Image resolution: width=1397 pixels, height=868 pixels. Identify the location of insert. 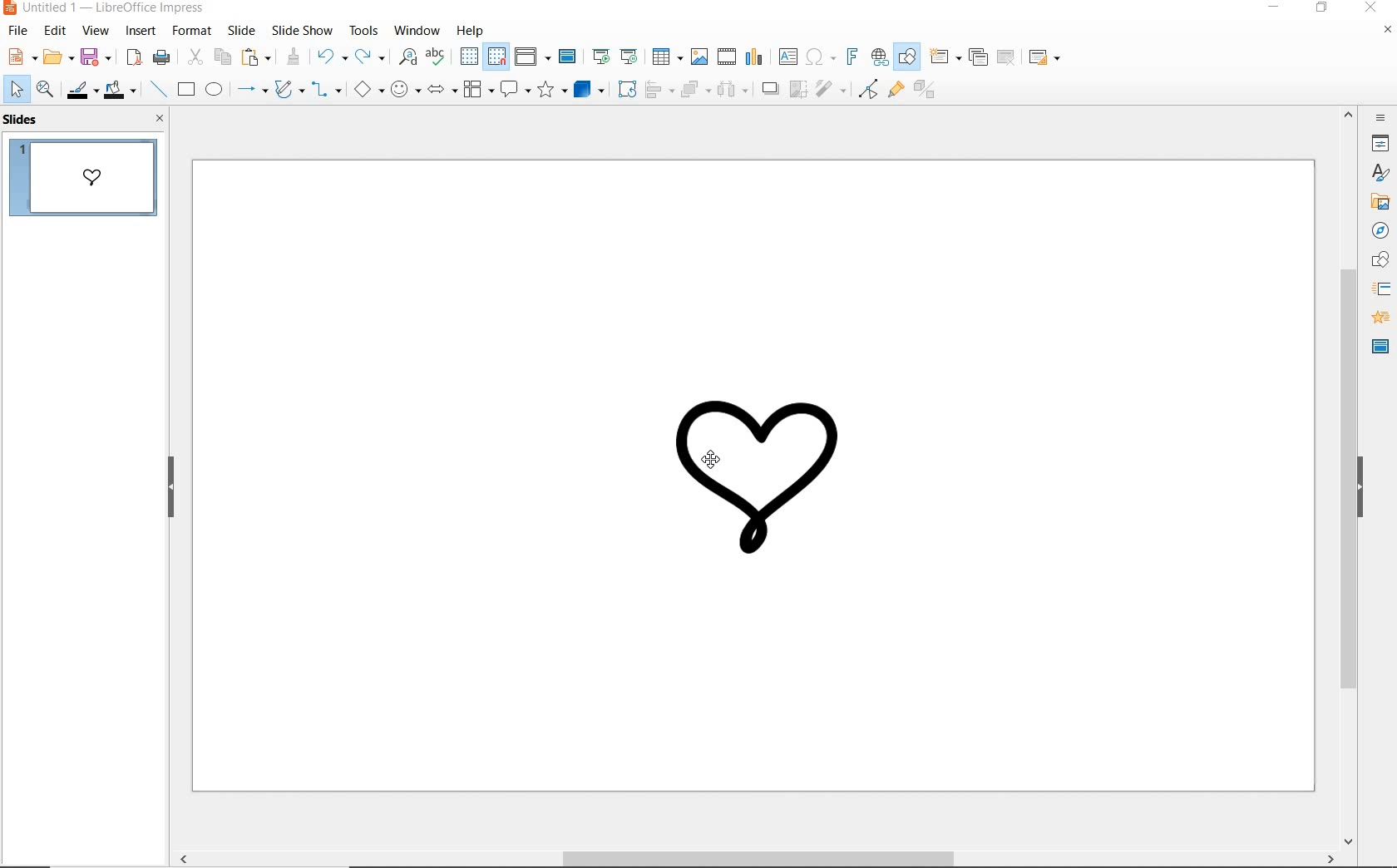
(141, 33).